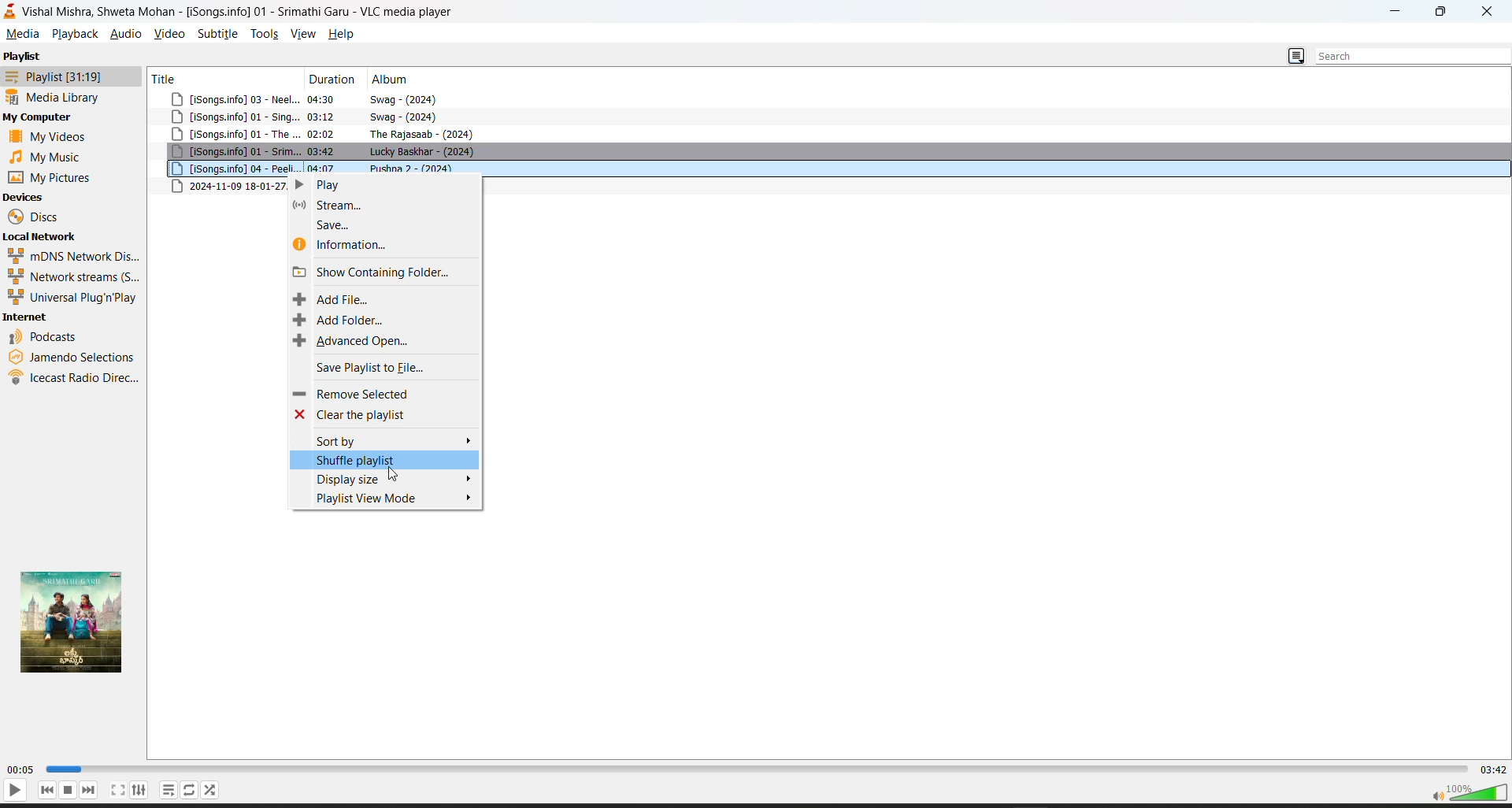  Describe the element at coordinates (74, 357) in the screenshot. I see `jamendo selections` at that location.